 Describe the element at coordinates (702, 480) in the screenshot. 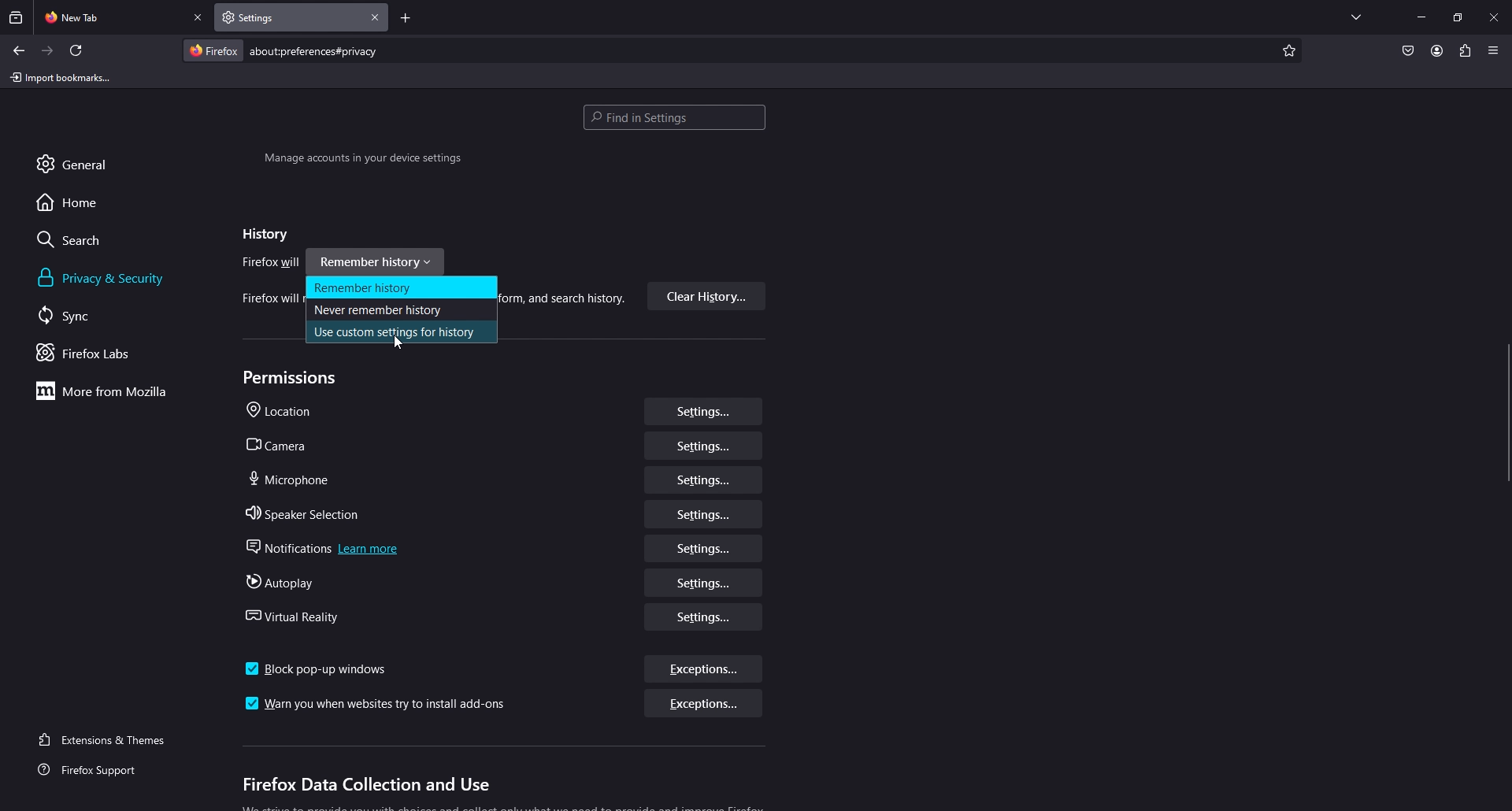

I see `settings` at that location.